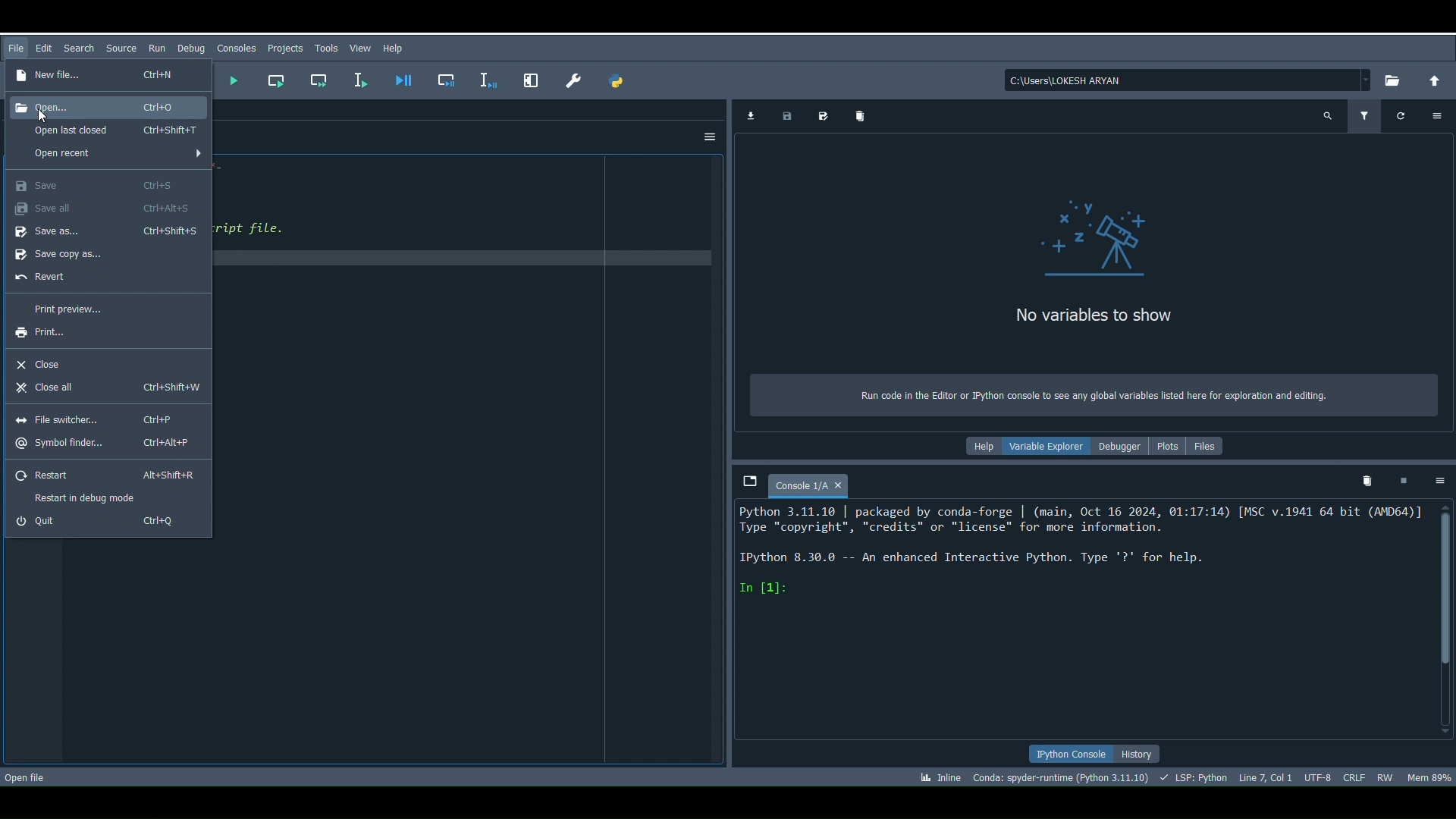  I want to click on Quit, so click(103, 523).